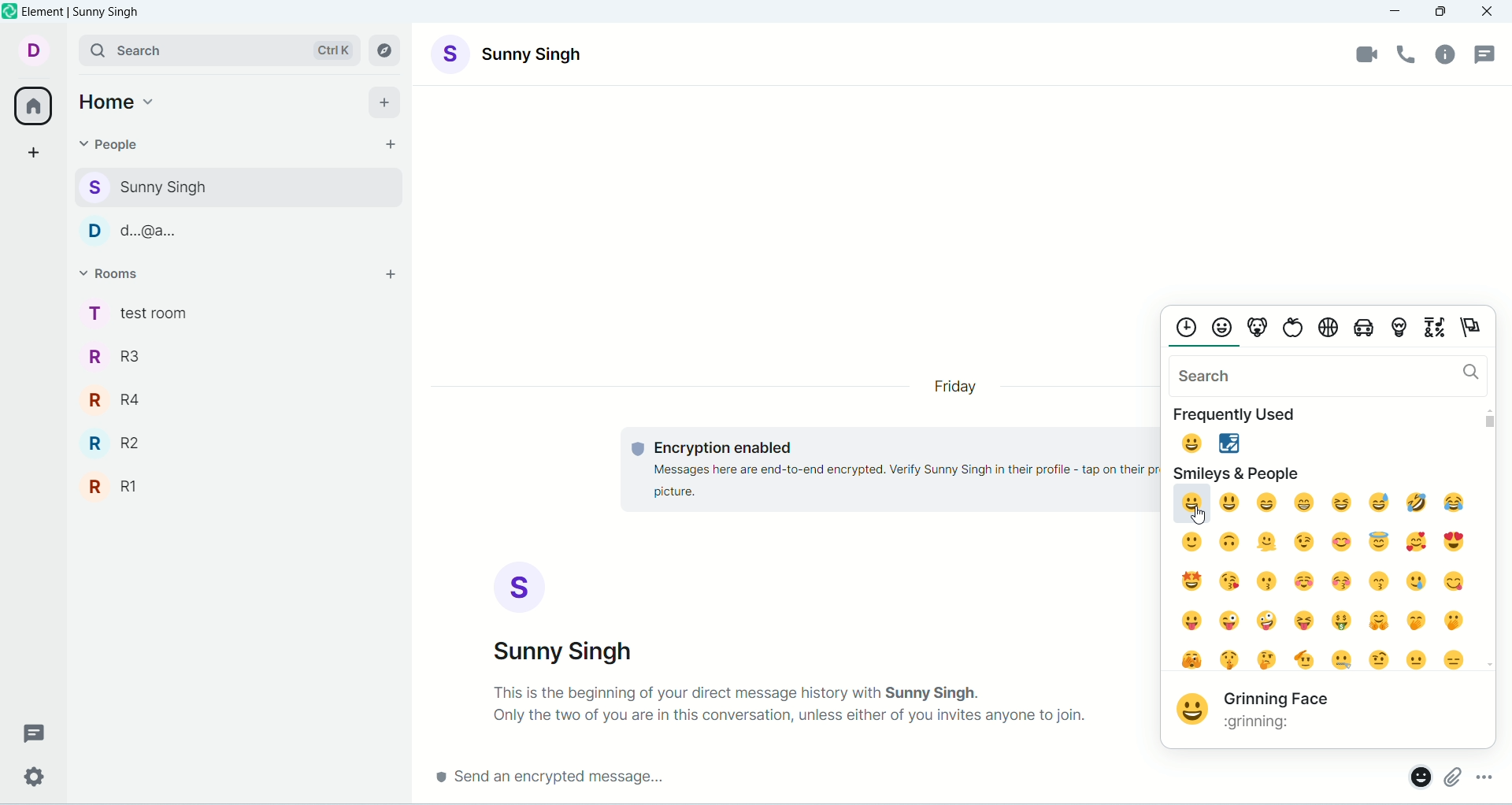  Describe the element at coordinates (958, 388) in the screenshot. I see `day` at that location.